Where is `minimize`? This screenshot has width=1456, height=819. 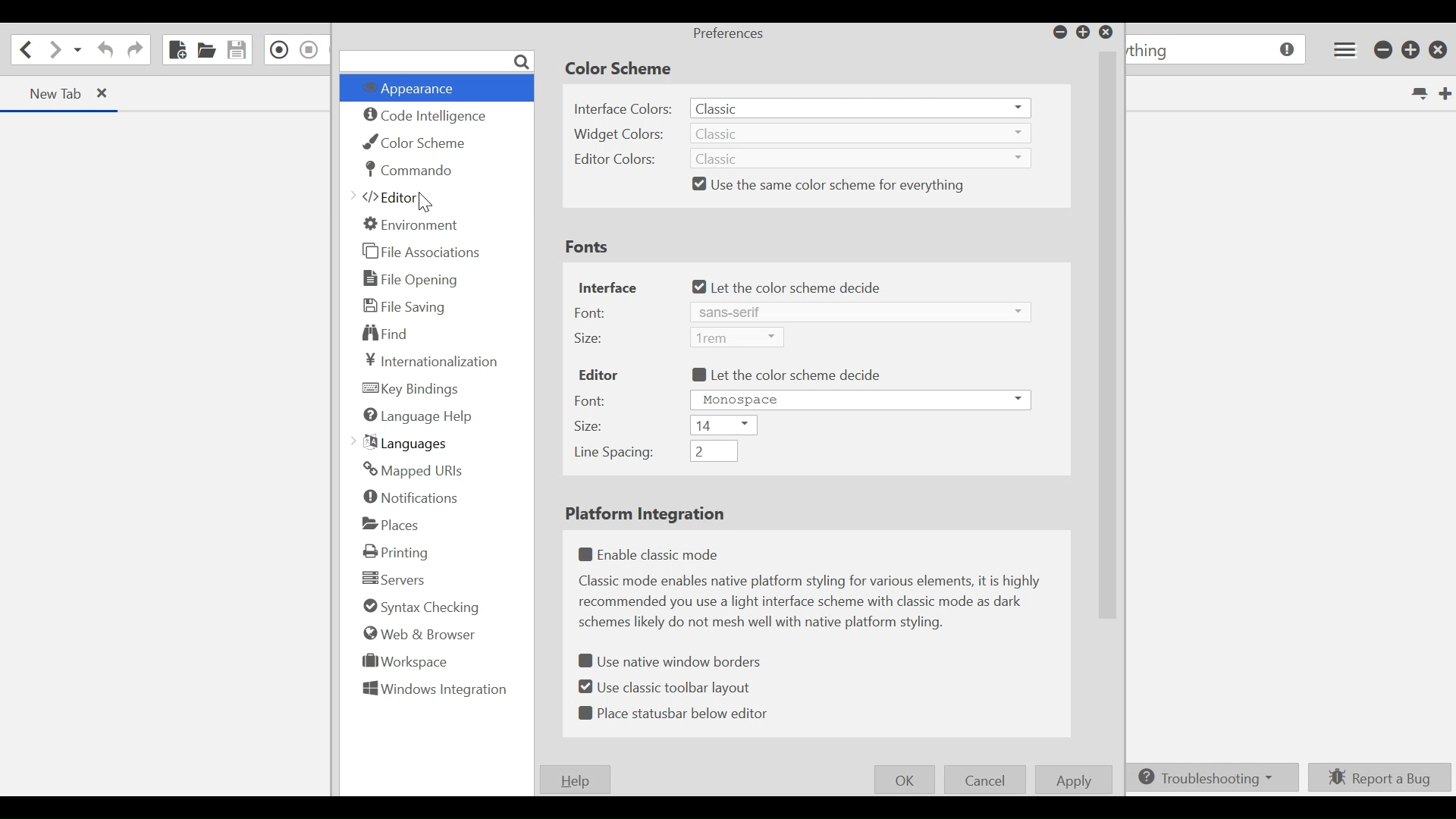 minimize is located at coordinates (1058, 31).